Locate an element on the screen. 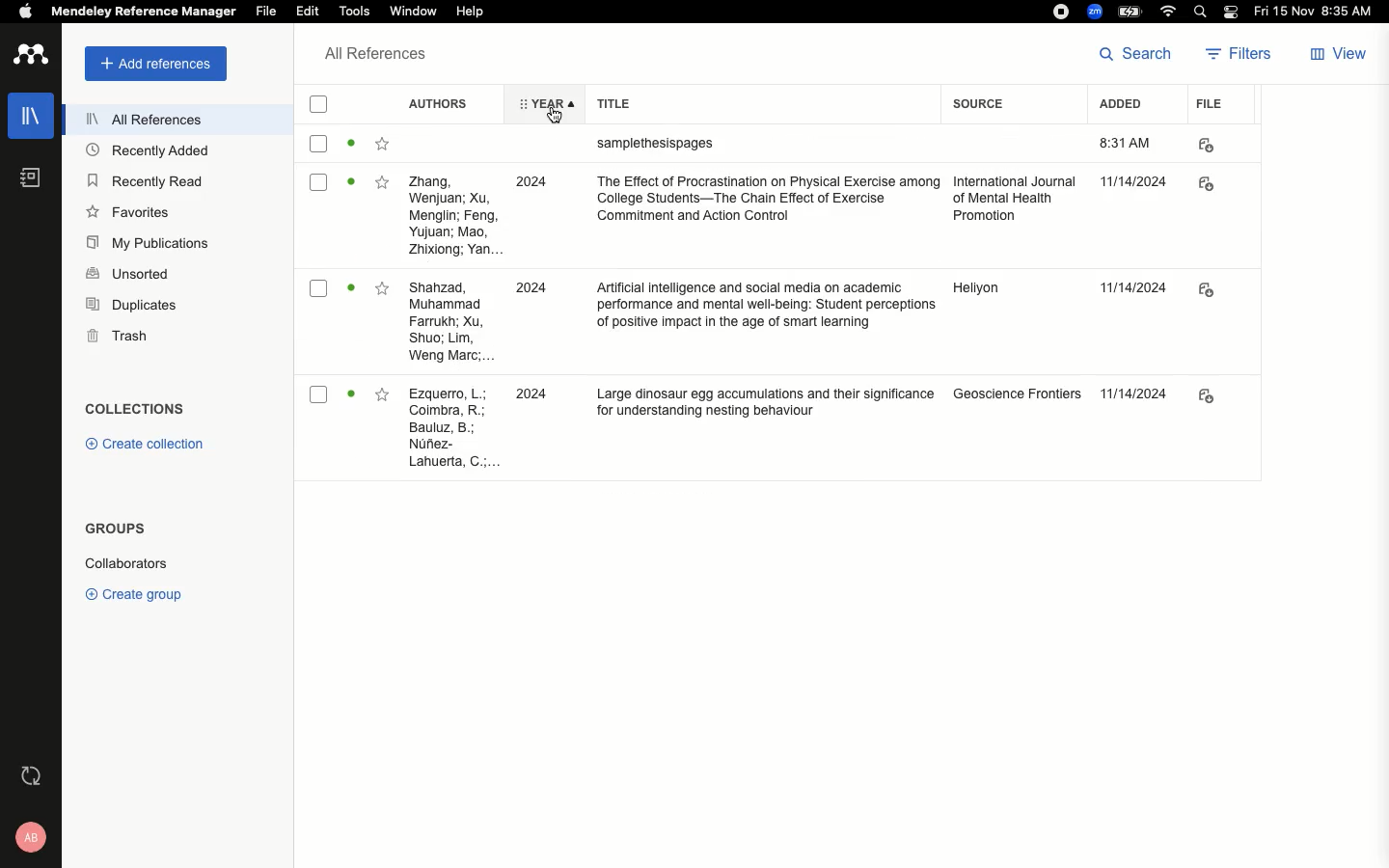 This screenshot has height=868, width=1389. select document is located at coordinates (318, 187).